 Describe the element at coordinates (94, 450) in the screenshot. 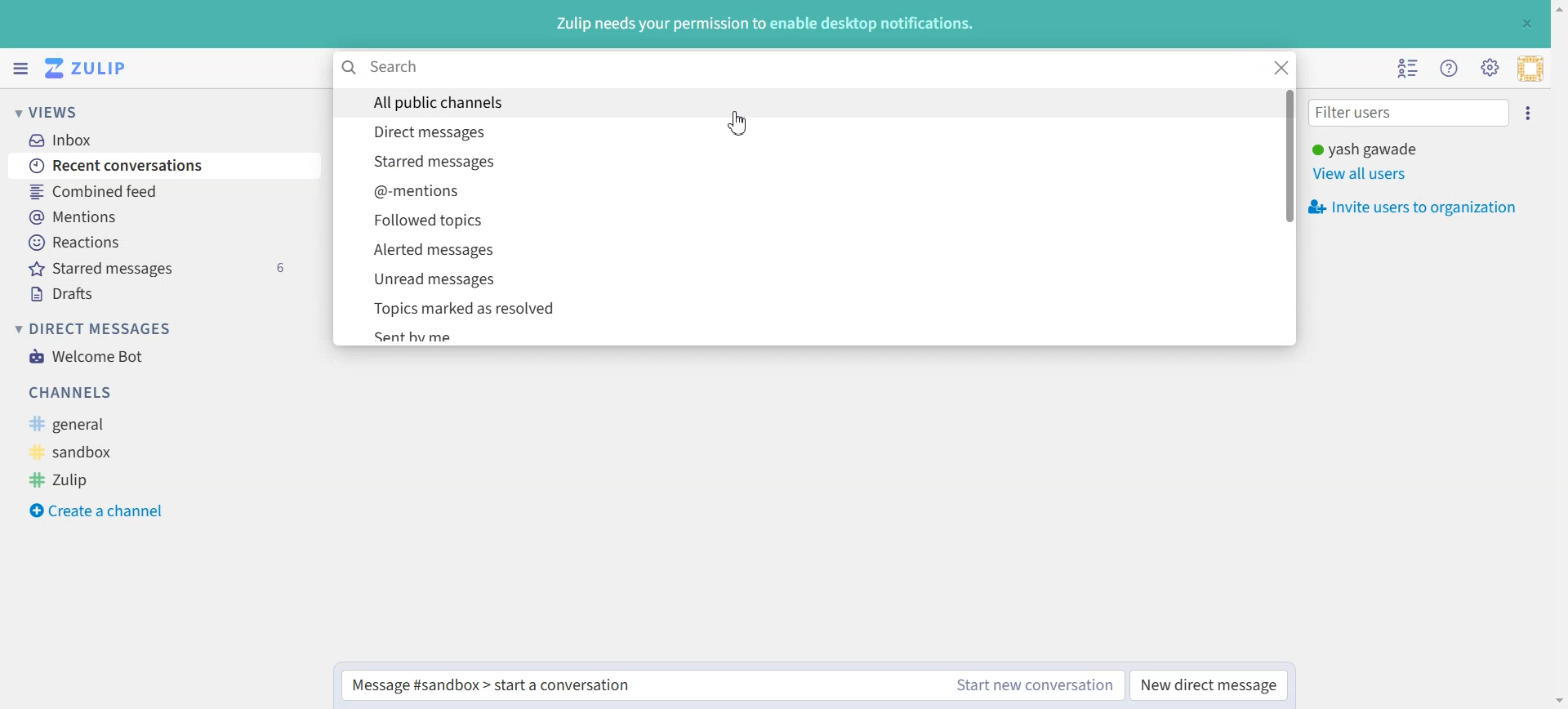

I see `sandbox` at that location.